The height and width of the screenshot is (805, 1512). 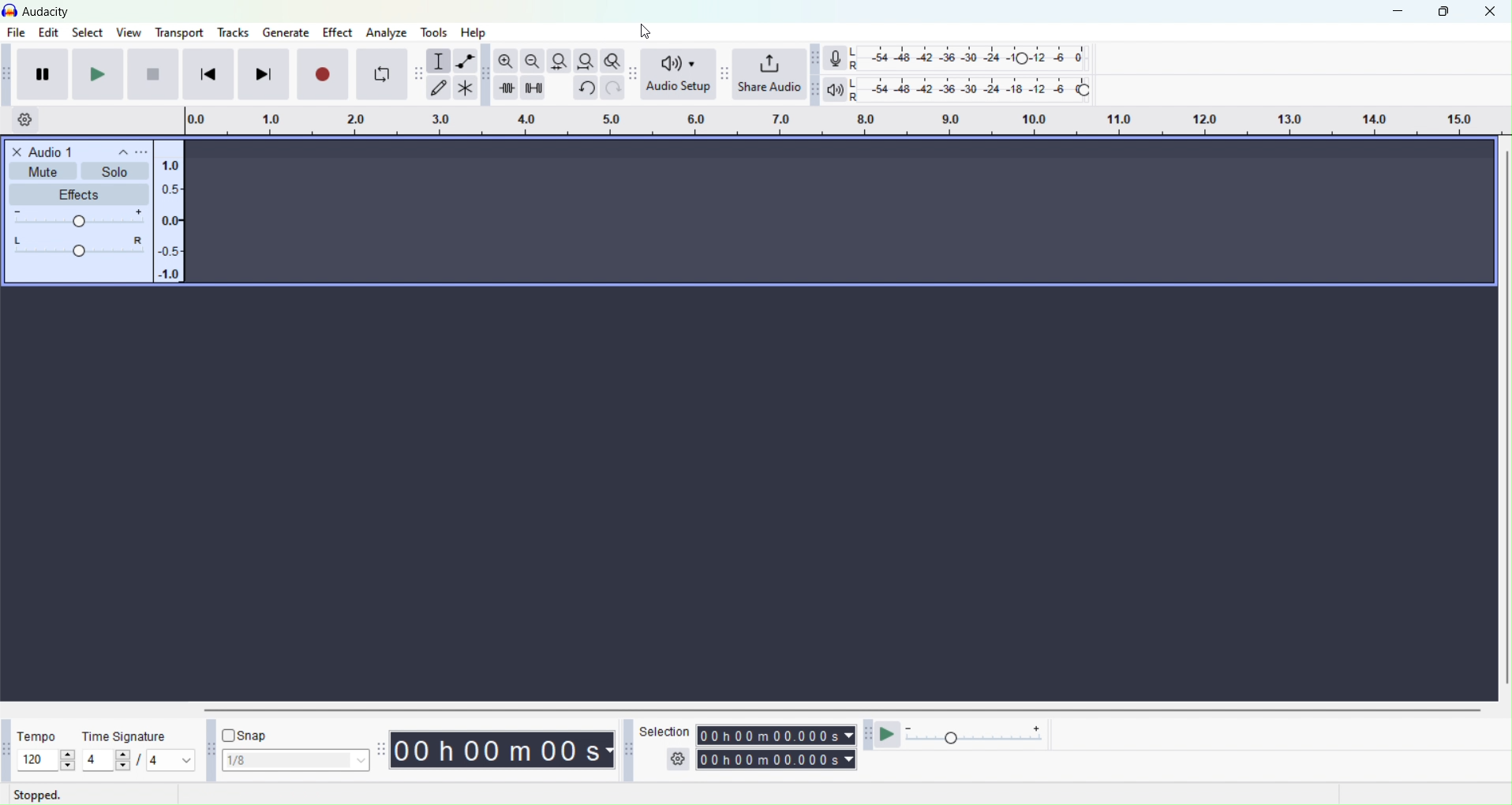 What do you see at coordinates (68, 767) in the screenshot?
I see `decrease tempo` at bounding box center [68, 767].